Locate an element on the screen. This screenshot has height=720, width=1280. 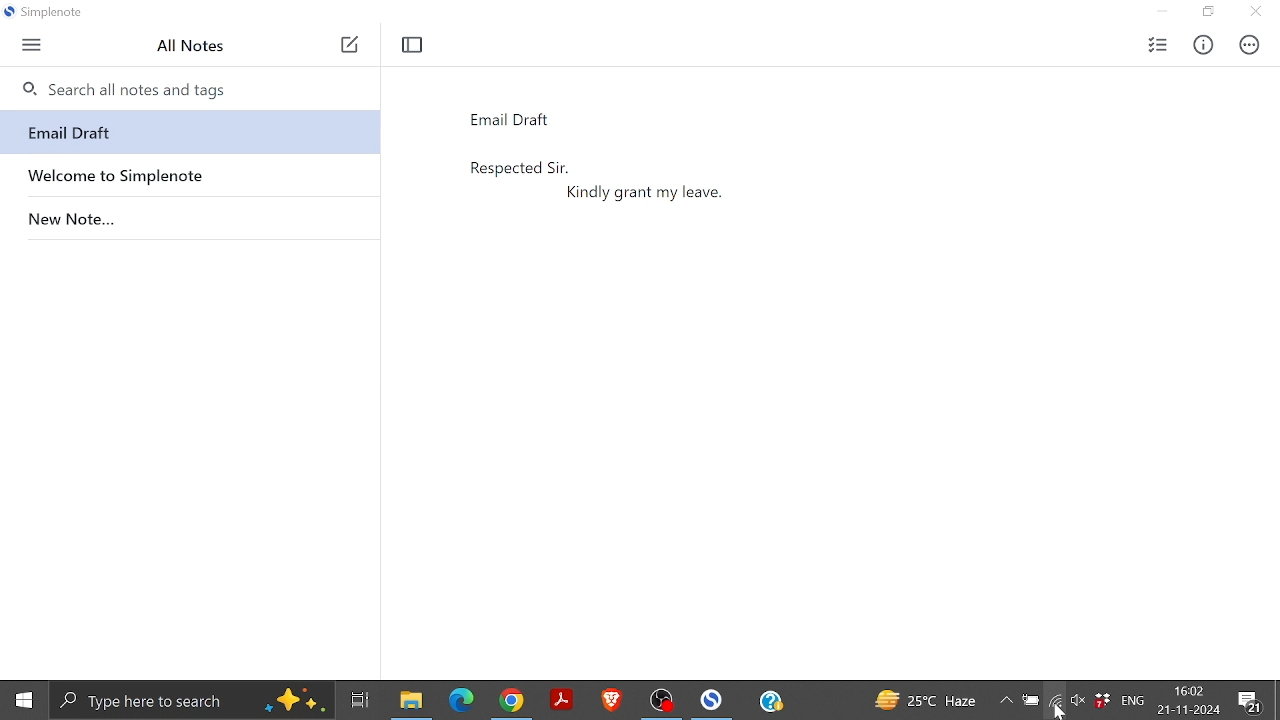
Minimize is located at coordinates (1168, 12).